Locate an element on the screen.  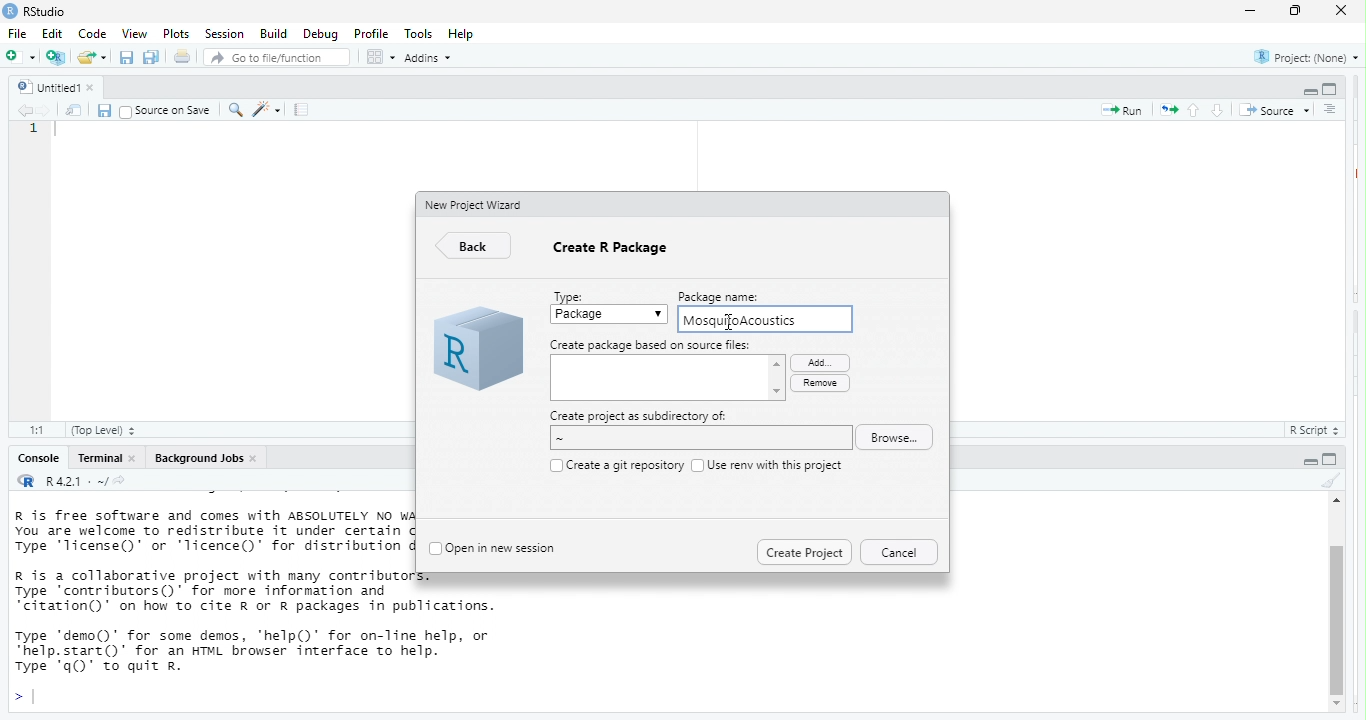
show document outline is located at coordinates (1329, 109).